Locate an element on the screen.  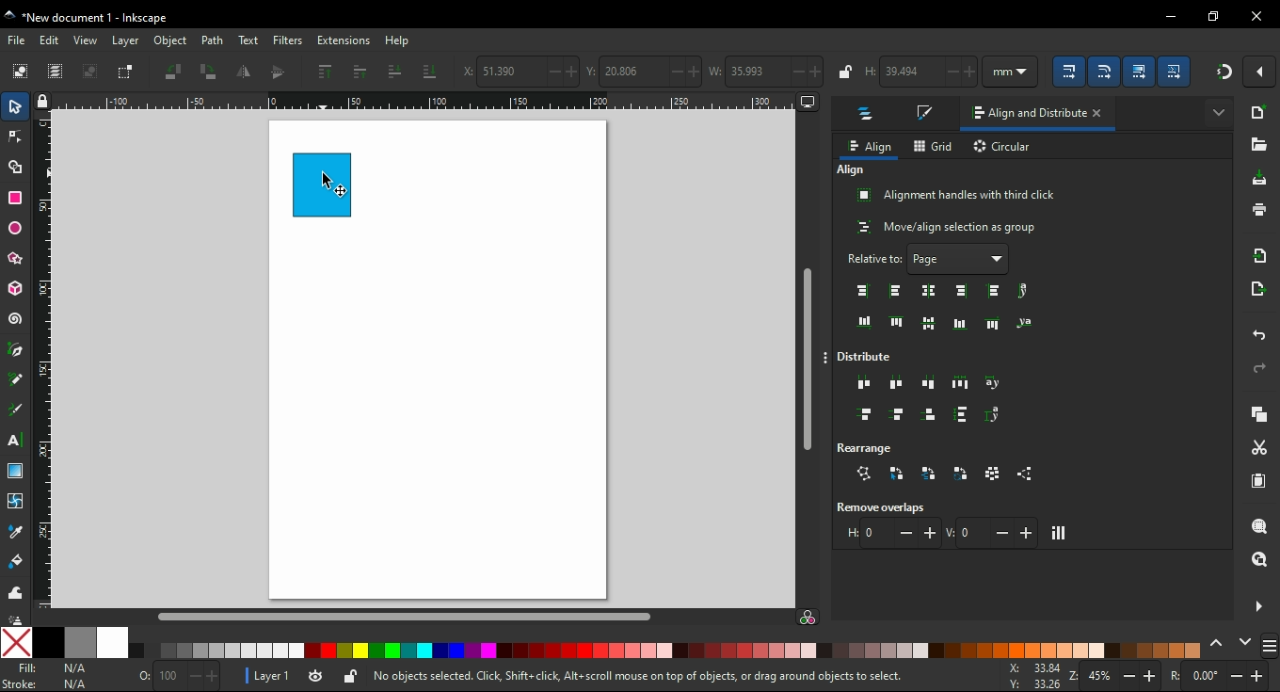
open export is located at coordinates (1259, 289).